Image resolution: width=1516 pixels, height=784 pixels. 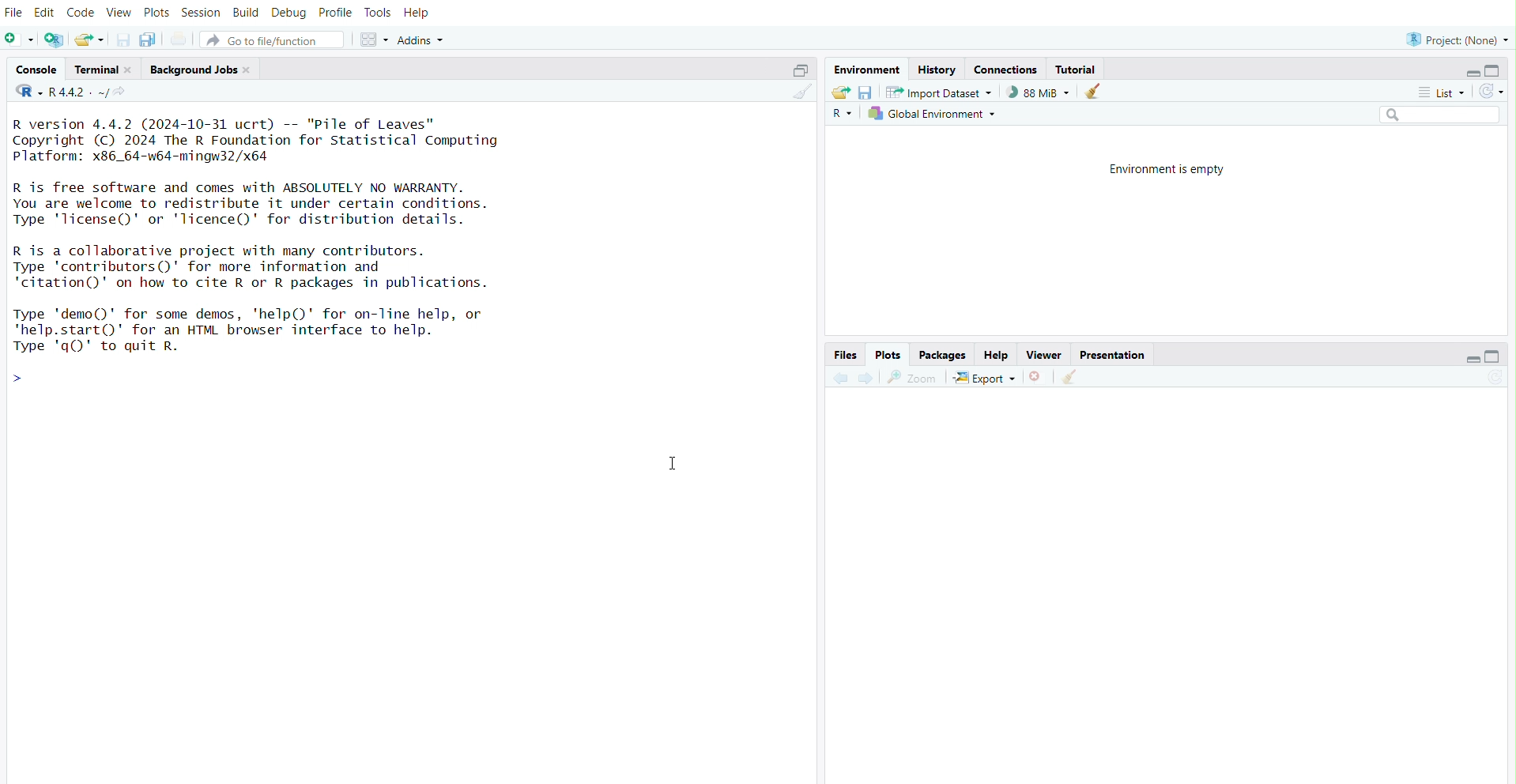 What do you see at coordinates (203, 10) in the screenshot?
I see `session` at bounding box center [203, 10].